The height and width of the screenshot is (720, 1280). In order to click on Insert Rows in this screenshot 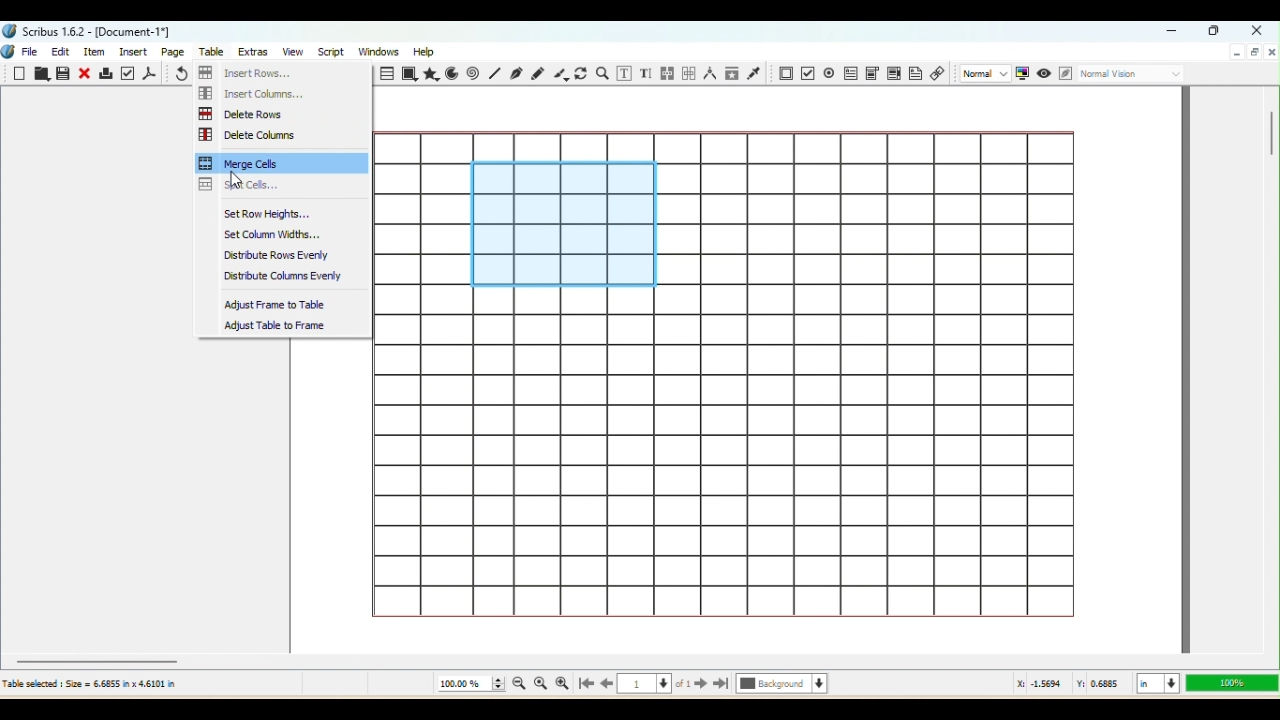, I will do `click(246, 71)`.